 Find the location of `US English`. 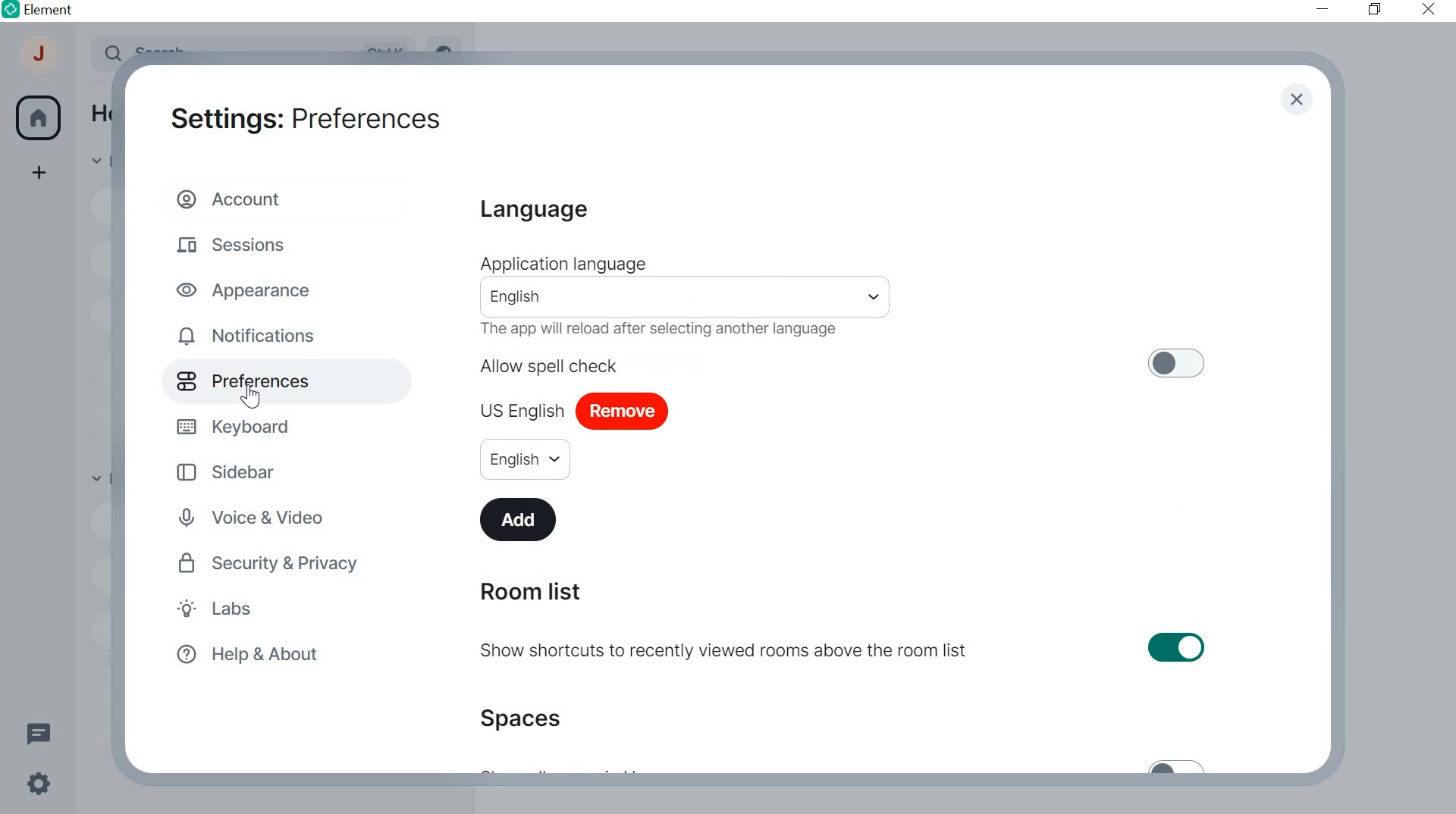

US English is located at coordinates (522, 407).